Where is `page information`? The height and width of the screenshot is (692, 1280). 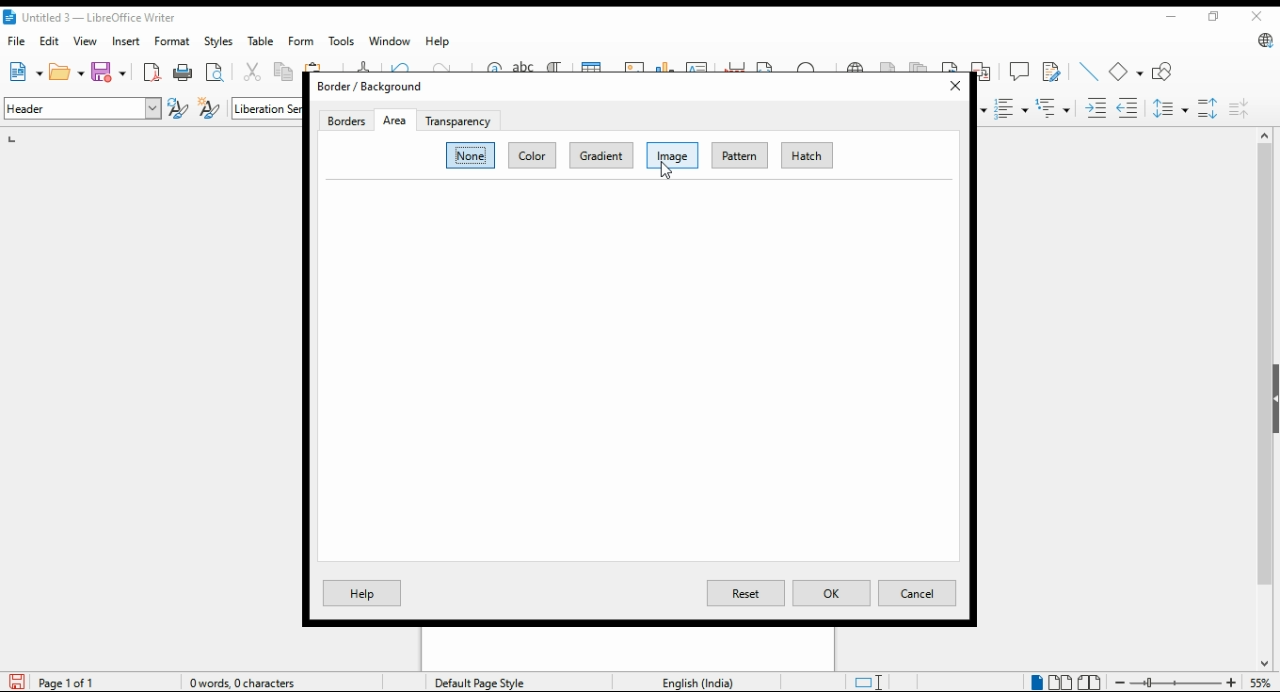
page information is located at coordinates (62, 682).